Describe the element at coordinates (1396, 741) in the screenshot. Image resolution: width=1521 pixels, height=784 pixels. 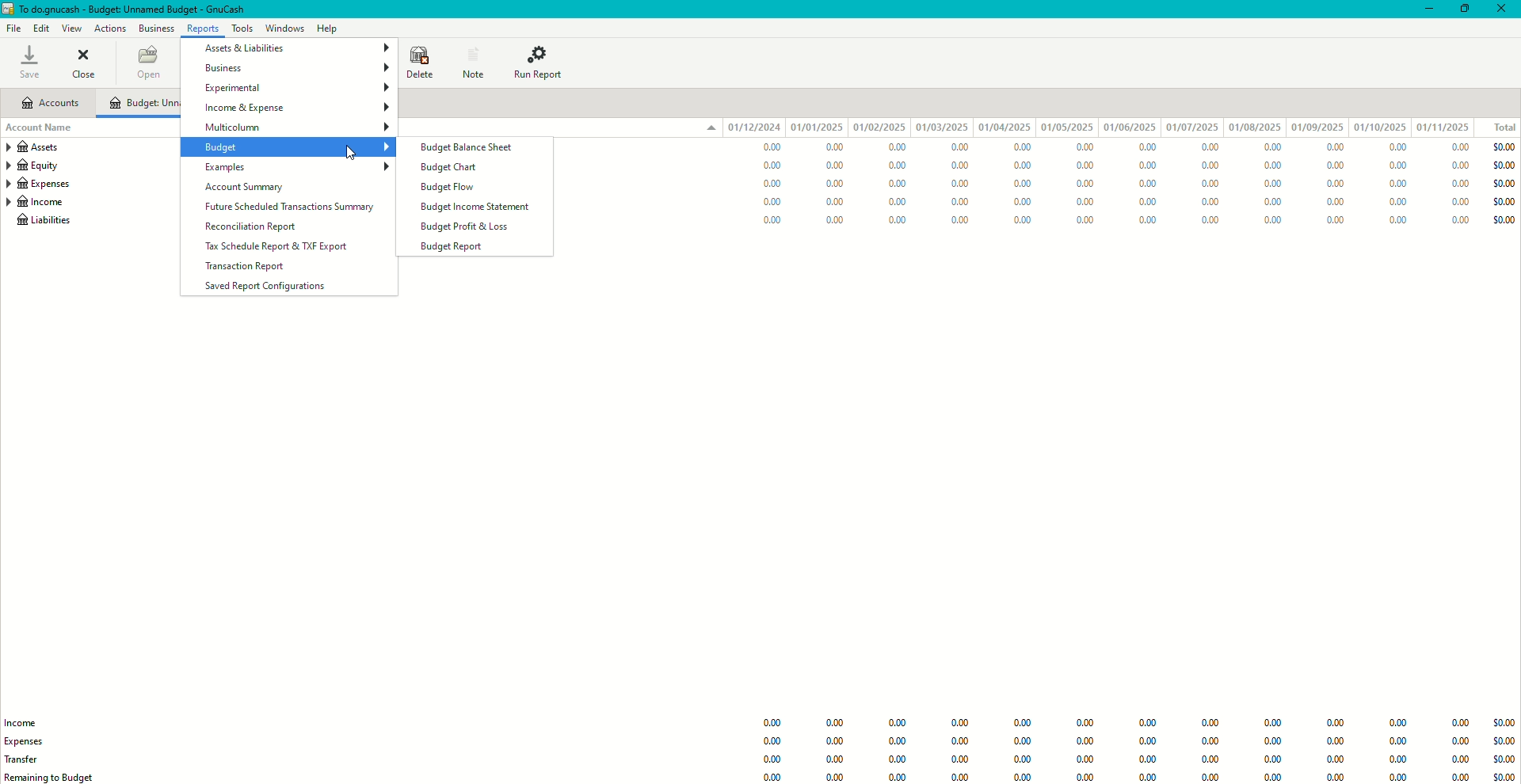
I see `0.00` at that location.